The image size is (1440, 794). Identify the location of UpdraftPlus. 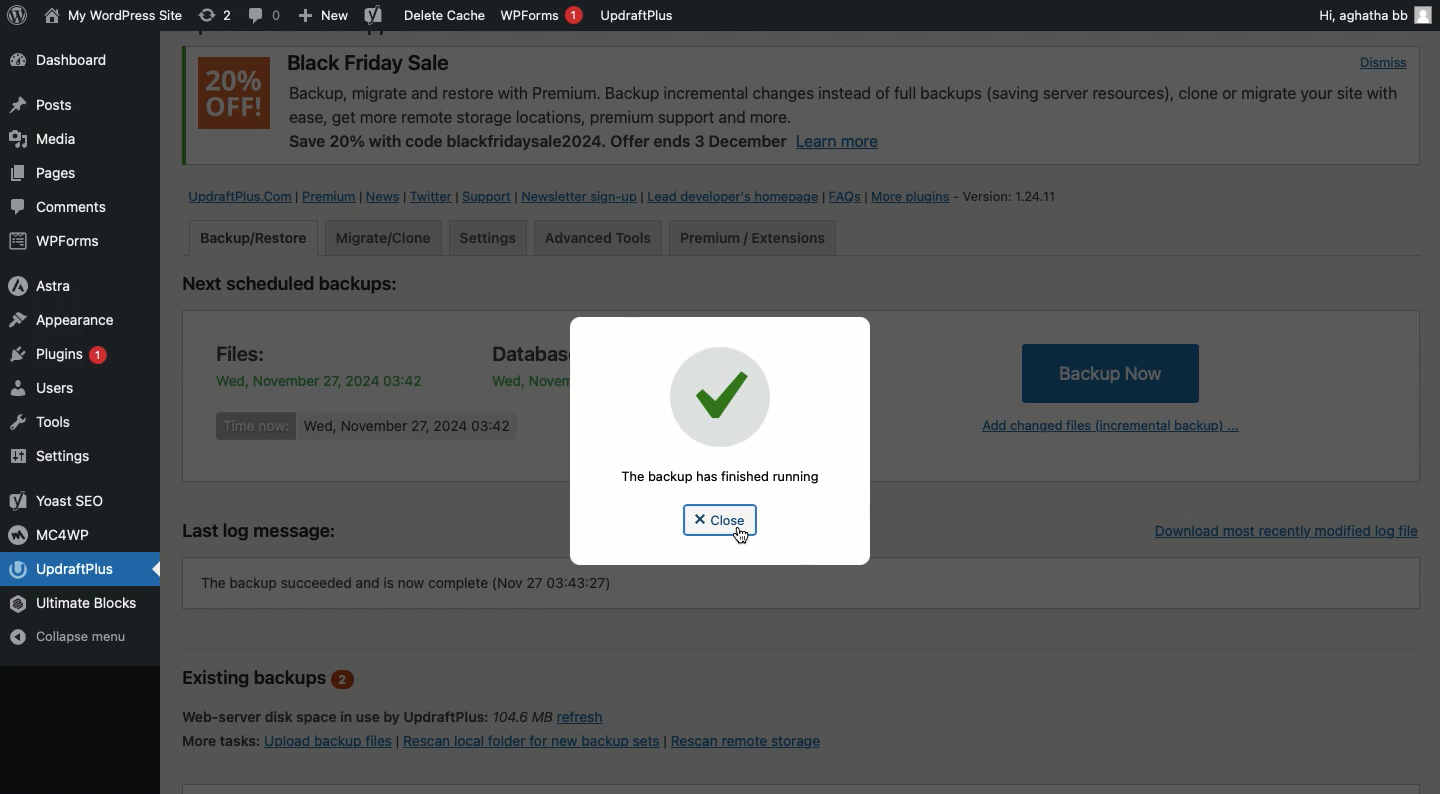
(83, 569).